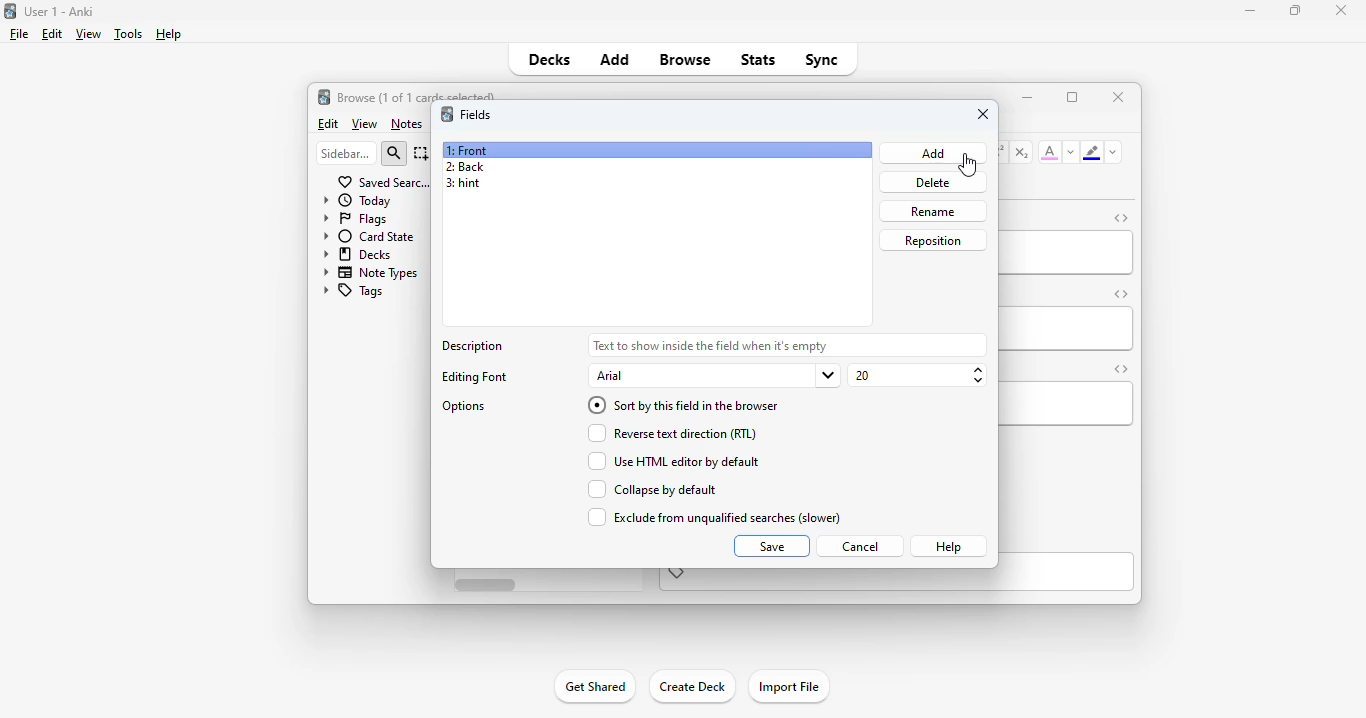  I want to click on help, so click(948, 546).